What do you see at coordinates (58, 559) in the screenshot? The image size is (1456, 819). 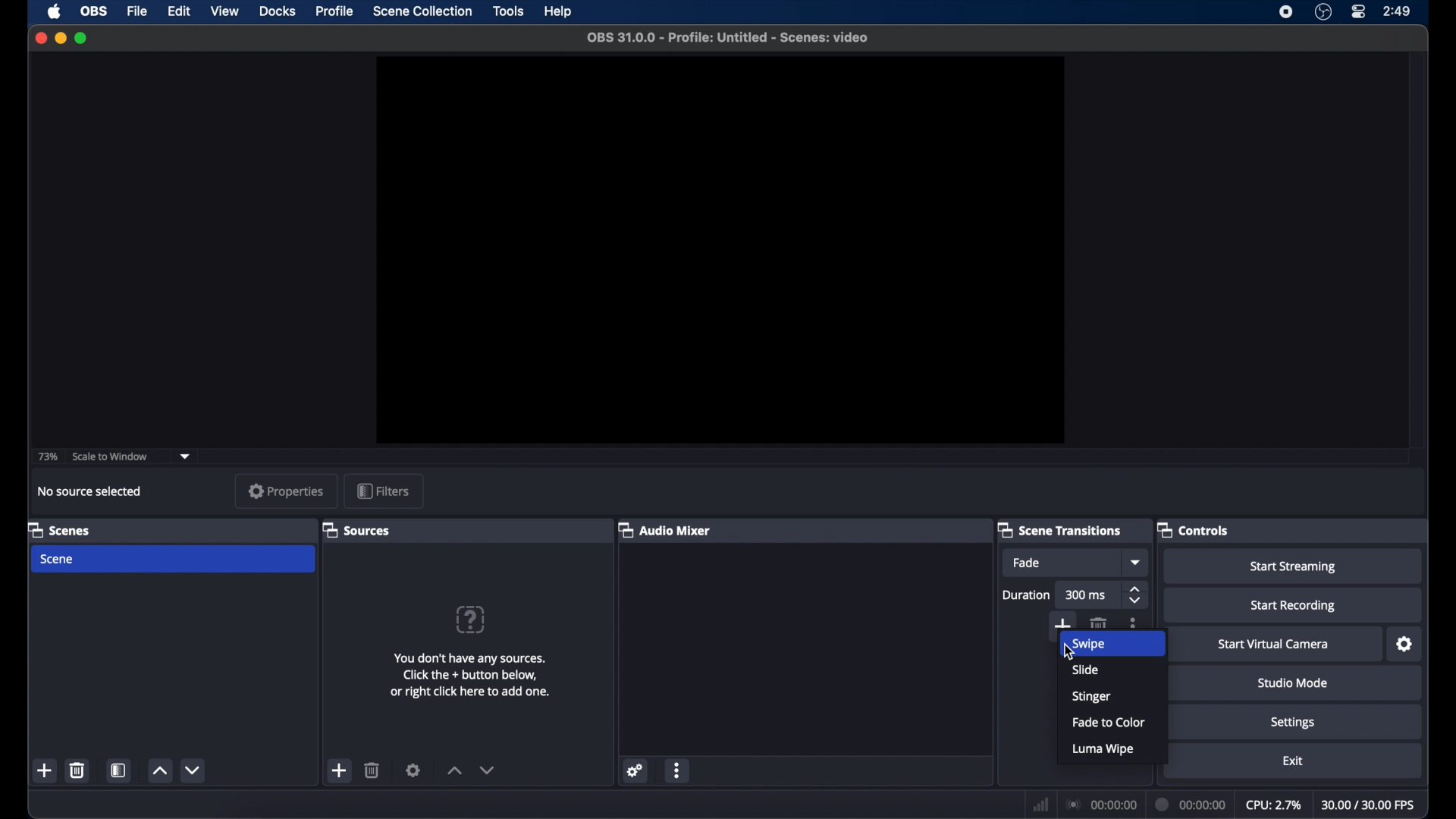 I see `scene` at bounding box center [58, 559].